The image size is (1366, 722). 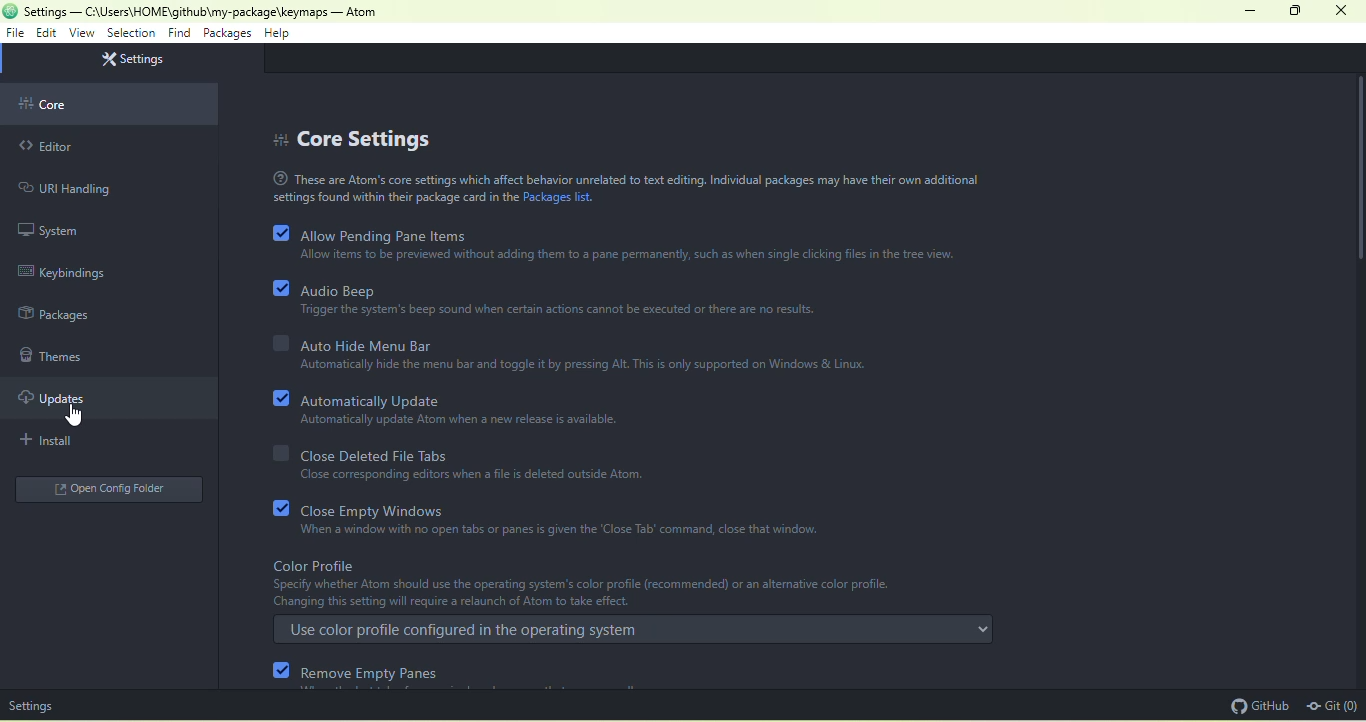 What do you see at coordinates (81, 34) in the screenshot?
I see `view` at bounding box center [81, 34].